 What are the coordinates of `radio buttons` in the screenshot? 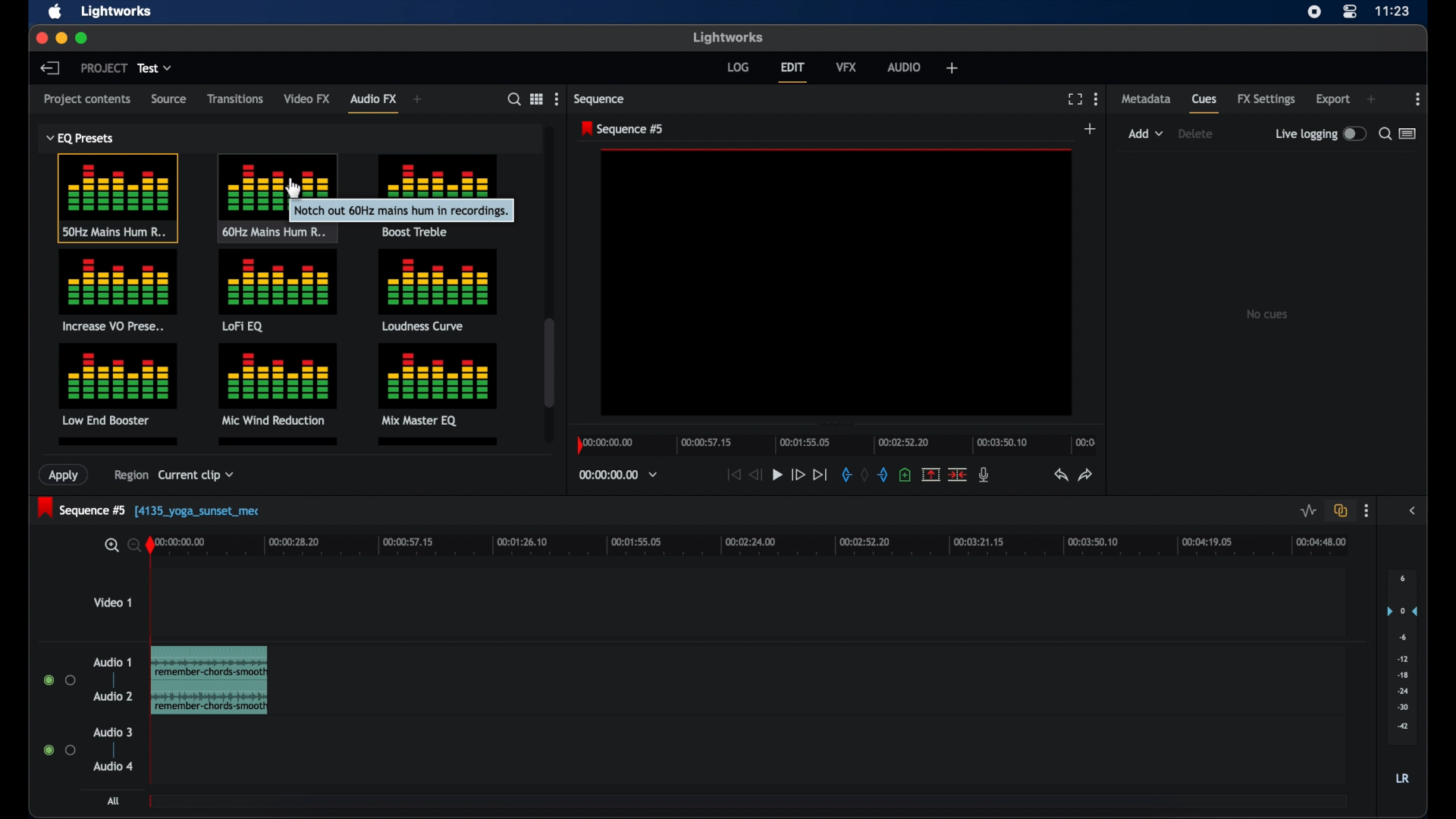 It's located at (59, 679).